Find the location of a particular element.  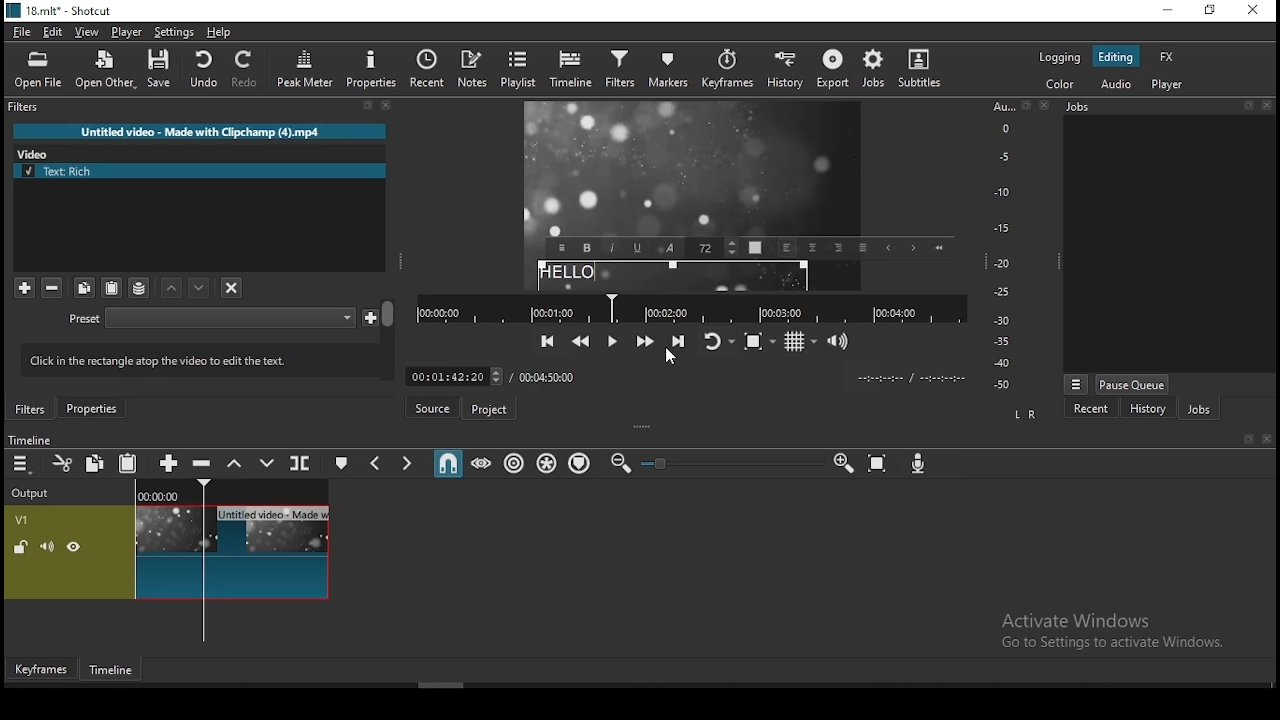

Start is located at coordinates (938, 247).